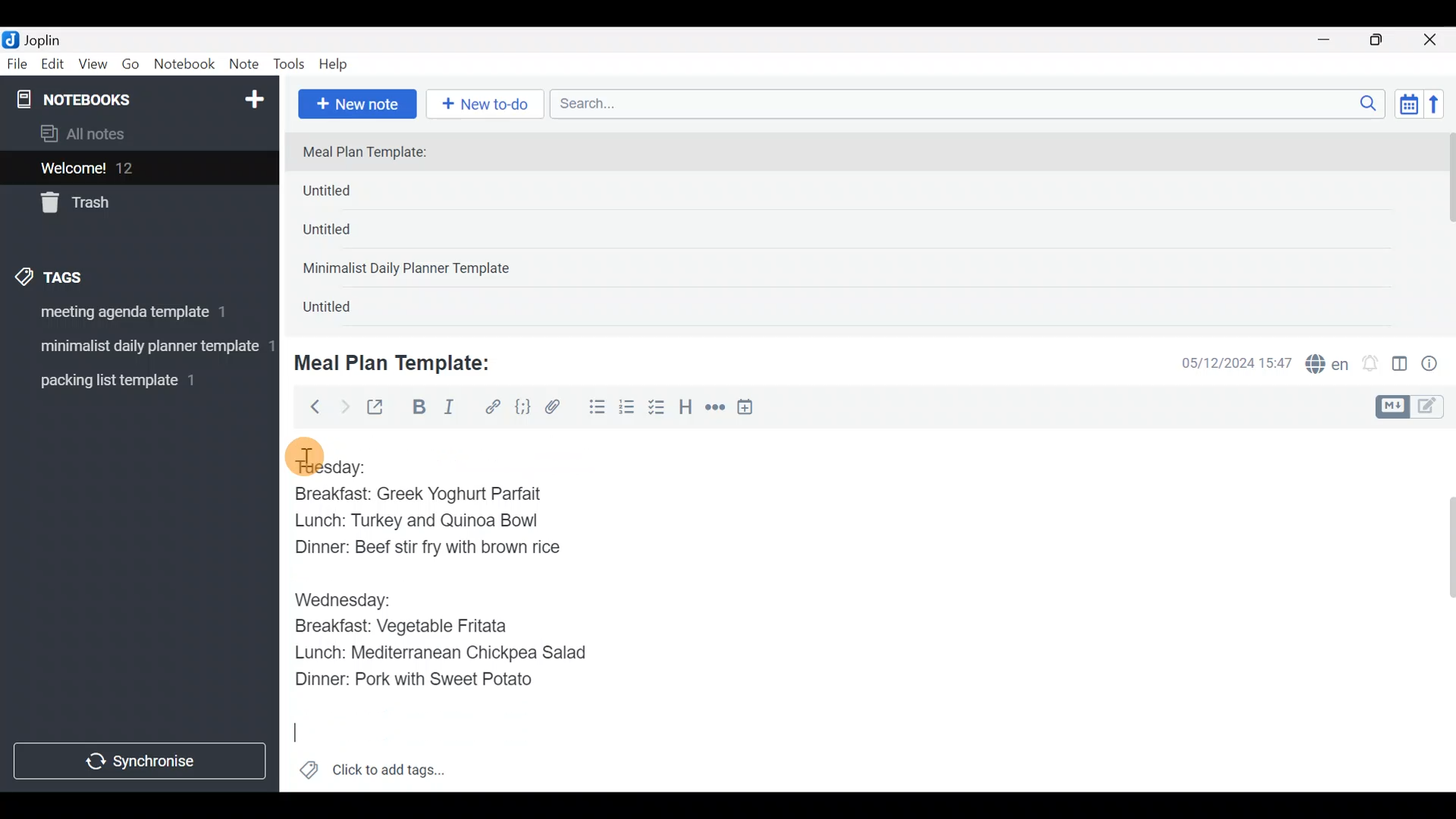 Image resolution: width=1456 pixels, height=819 pixels. Describe the element at coordinates (427, 680) in the screenshot. I see `Dinner: Pork with Sweet Potato` at that location.